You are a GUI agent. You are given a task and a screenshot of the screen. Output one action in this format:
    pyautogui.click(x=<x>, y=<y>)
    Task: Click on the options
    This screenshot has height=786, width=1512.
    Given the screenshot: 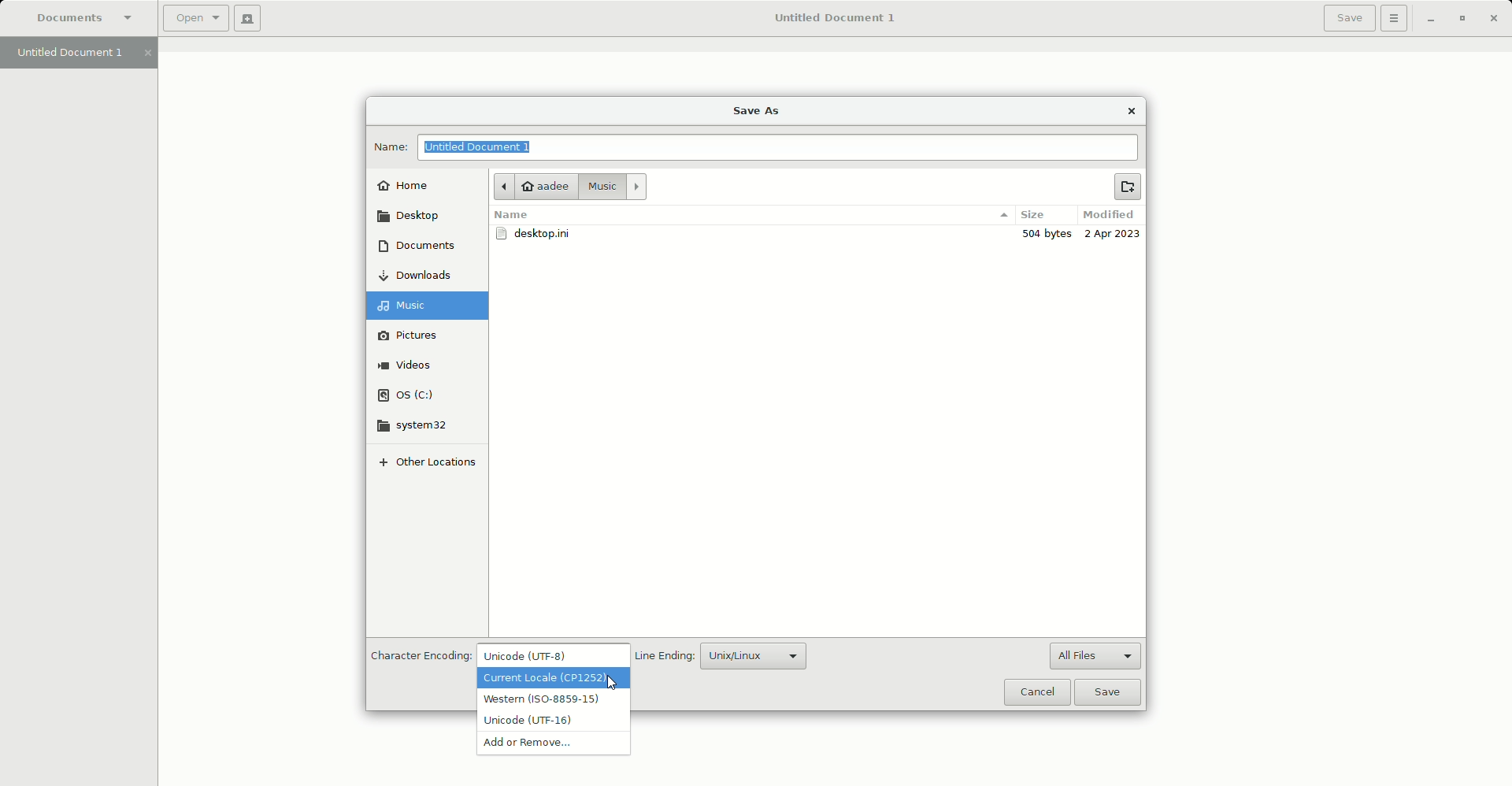 What is the action you would take?
    pyautogui.click(x=1001, y=216)
    